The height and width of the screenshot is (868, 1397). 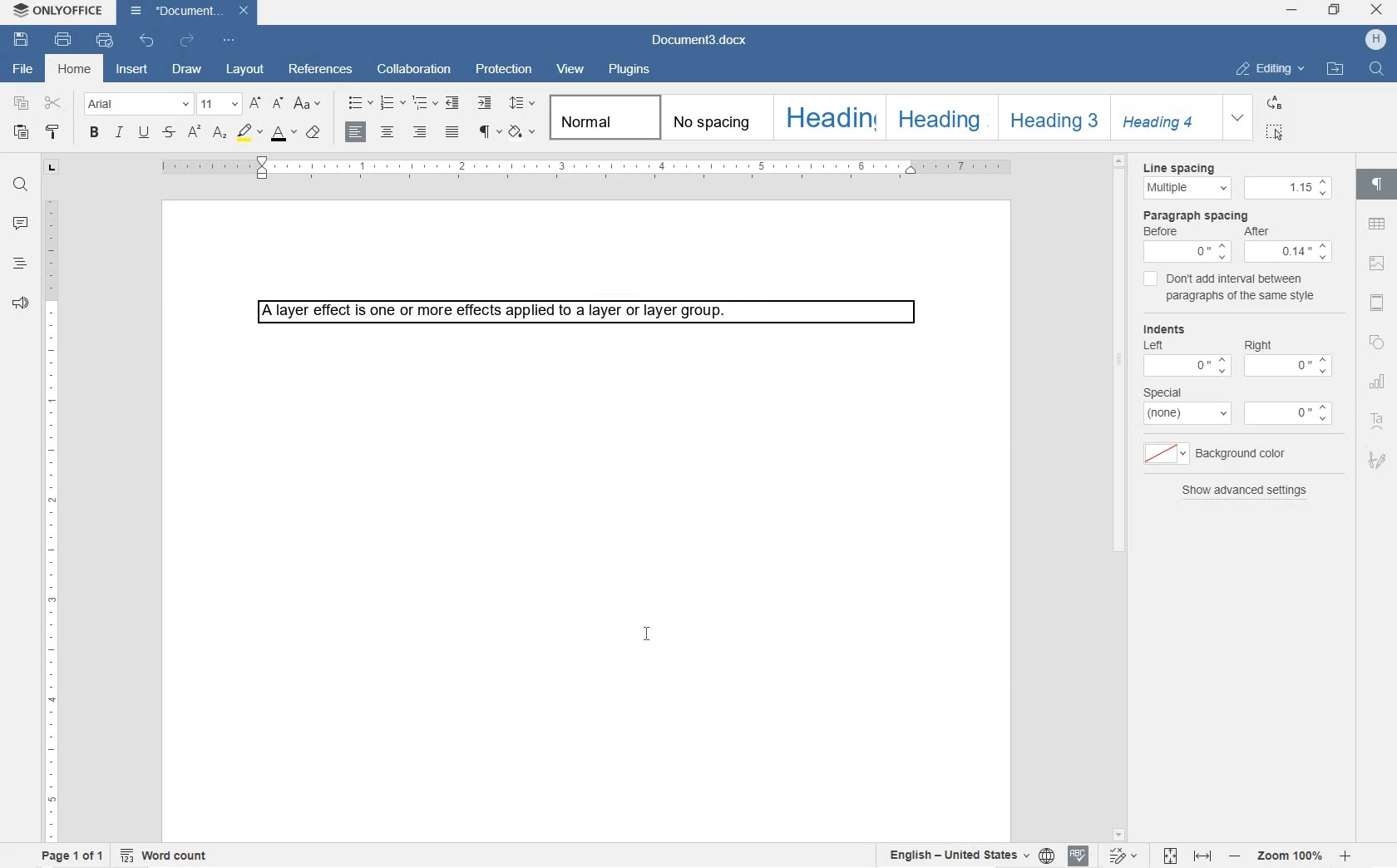 What do you see at coordinates (136, 106) in the screenshot?
I see `FONT NAME` at bounding box center [136, 106].